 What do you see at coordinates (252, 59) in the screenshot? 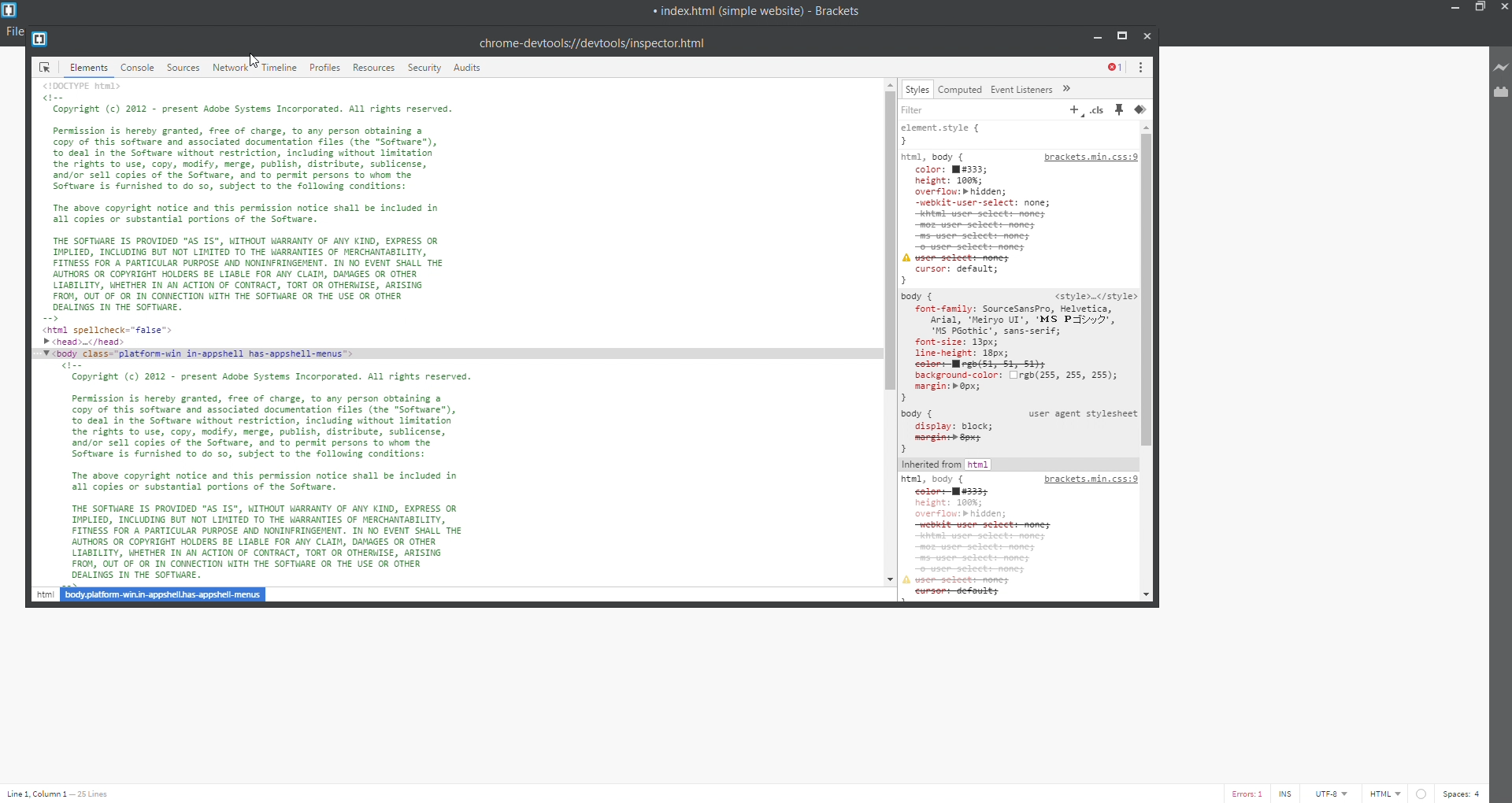
I see `cursor` at bounding box center [252, 59].